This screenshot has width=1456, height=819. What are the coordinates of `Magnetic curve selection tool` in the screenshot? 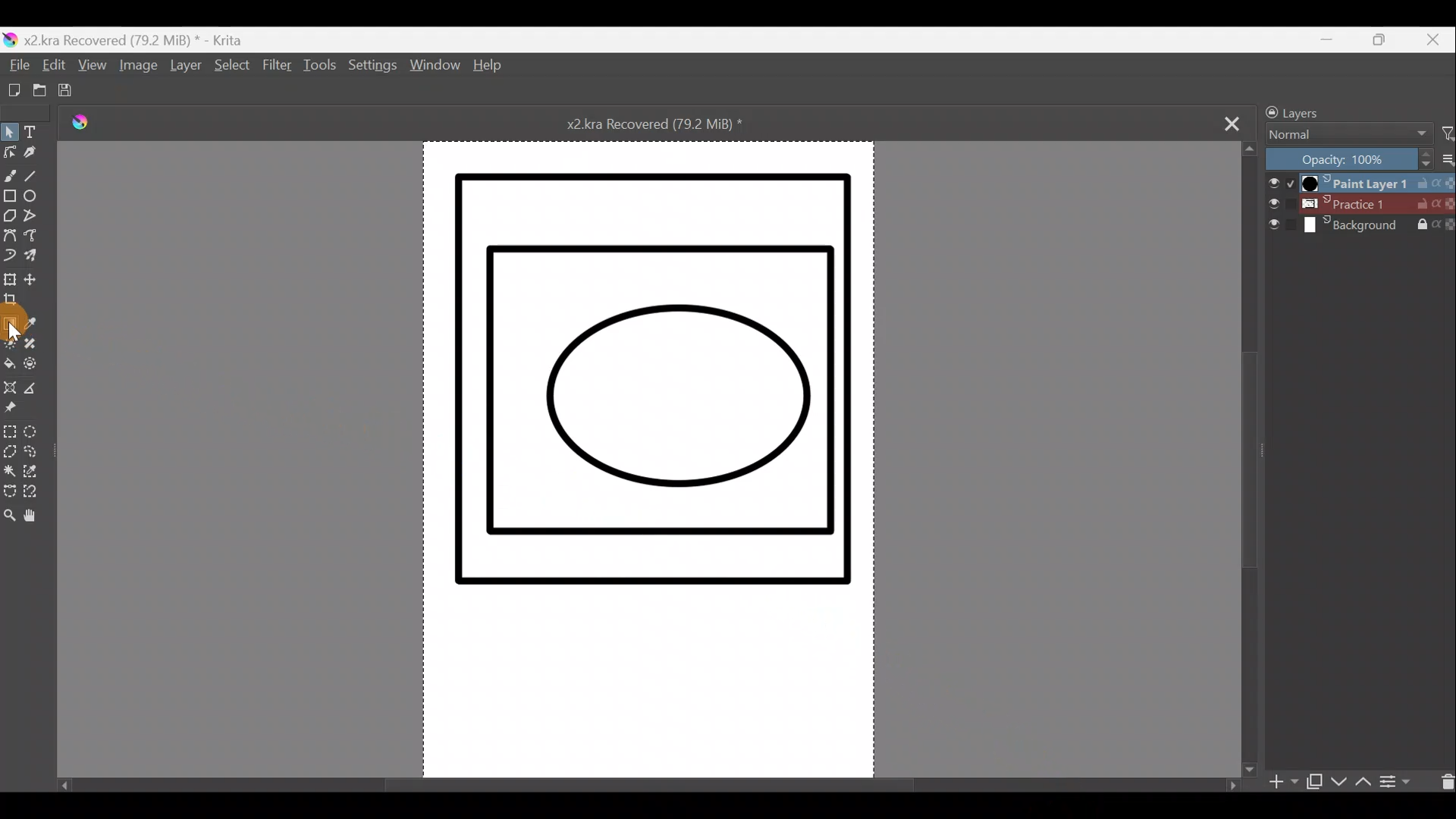 It's located at (33, 498).